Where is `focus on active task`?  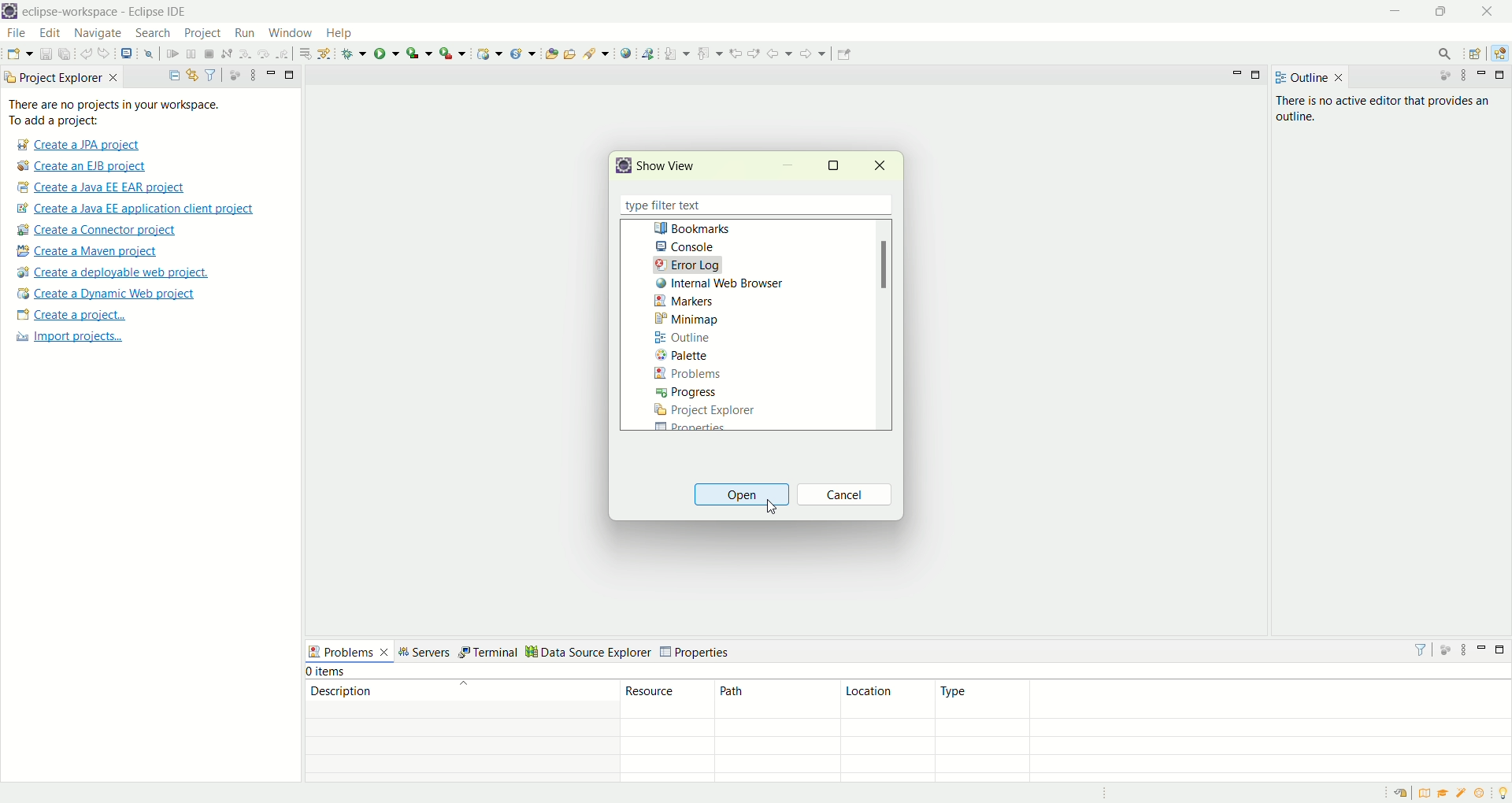
focus on active task is located at coordinates (1446, 649).